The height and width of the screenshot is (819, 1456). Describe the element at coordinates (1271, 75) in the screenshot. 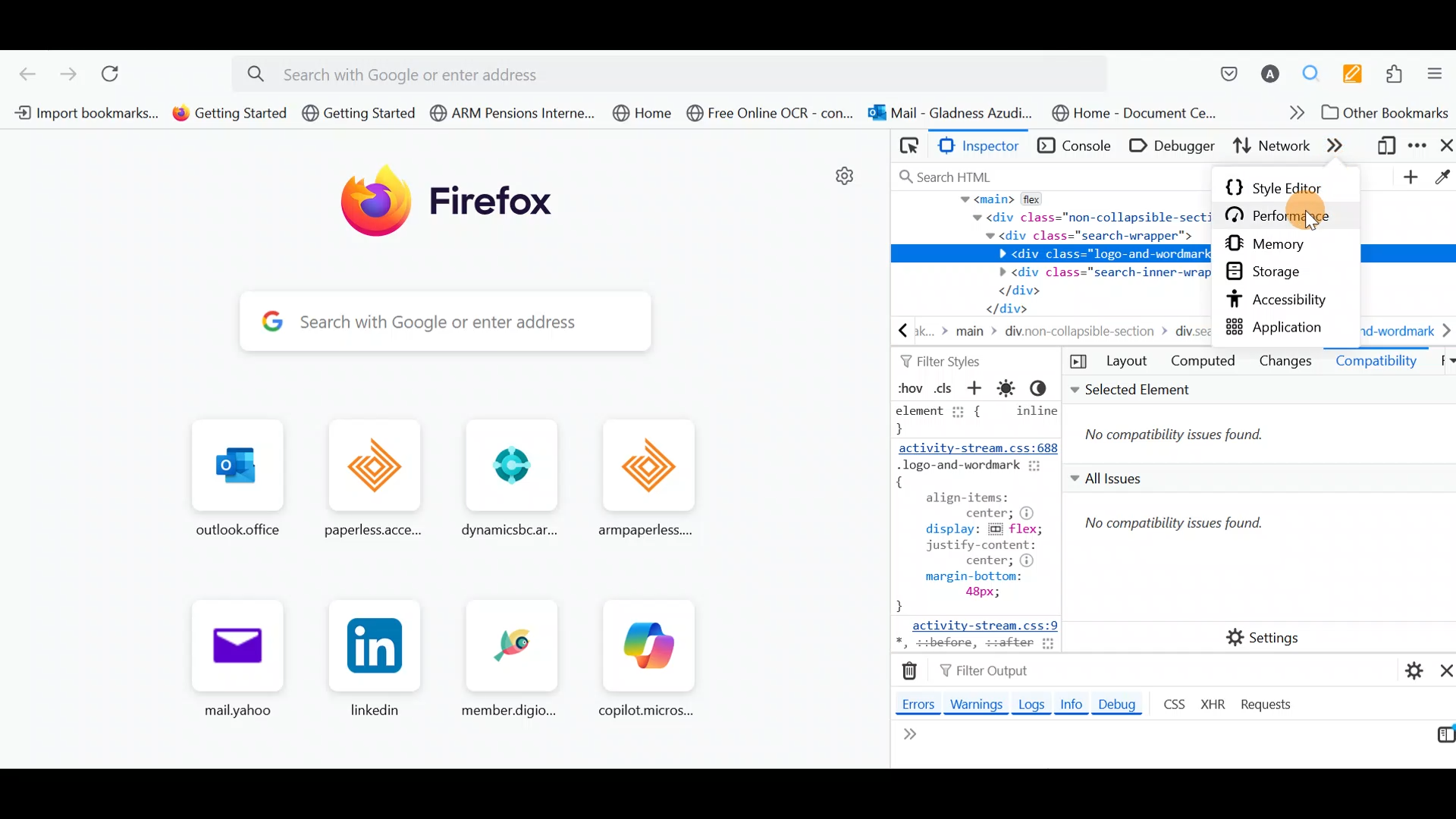

I see `Account` at that location.